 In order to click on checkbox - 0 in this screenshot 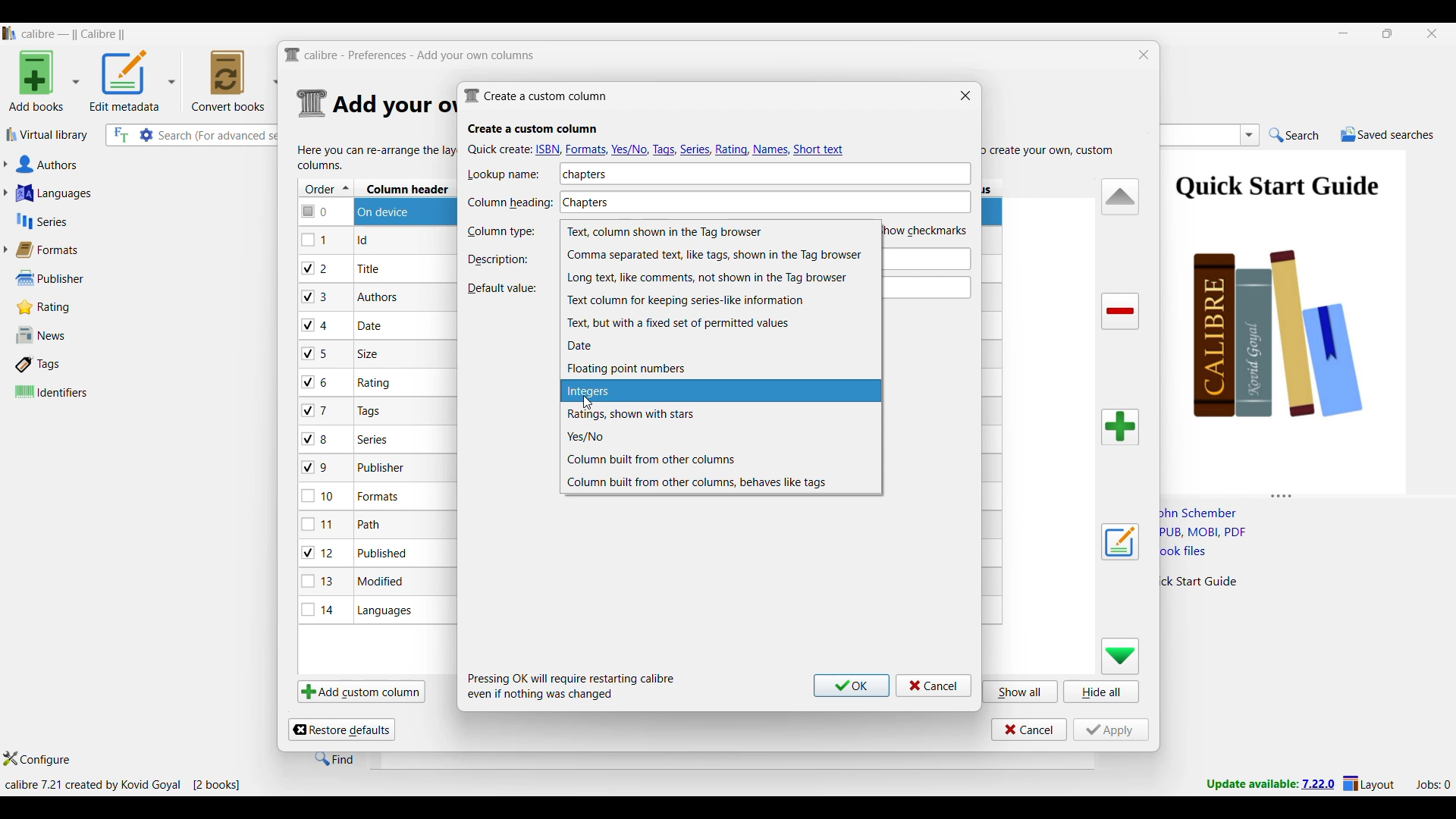, I will do `click(316, 210)`.